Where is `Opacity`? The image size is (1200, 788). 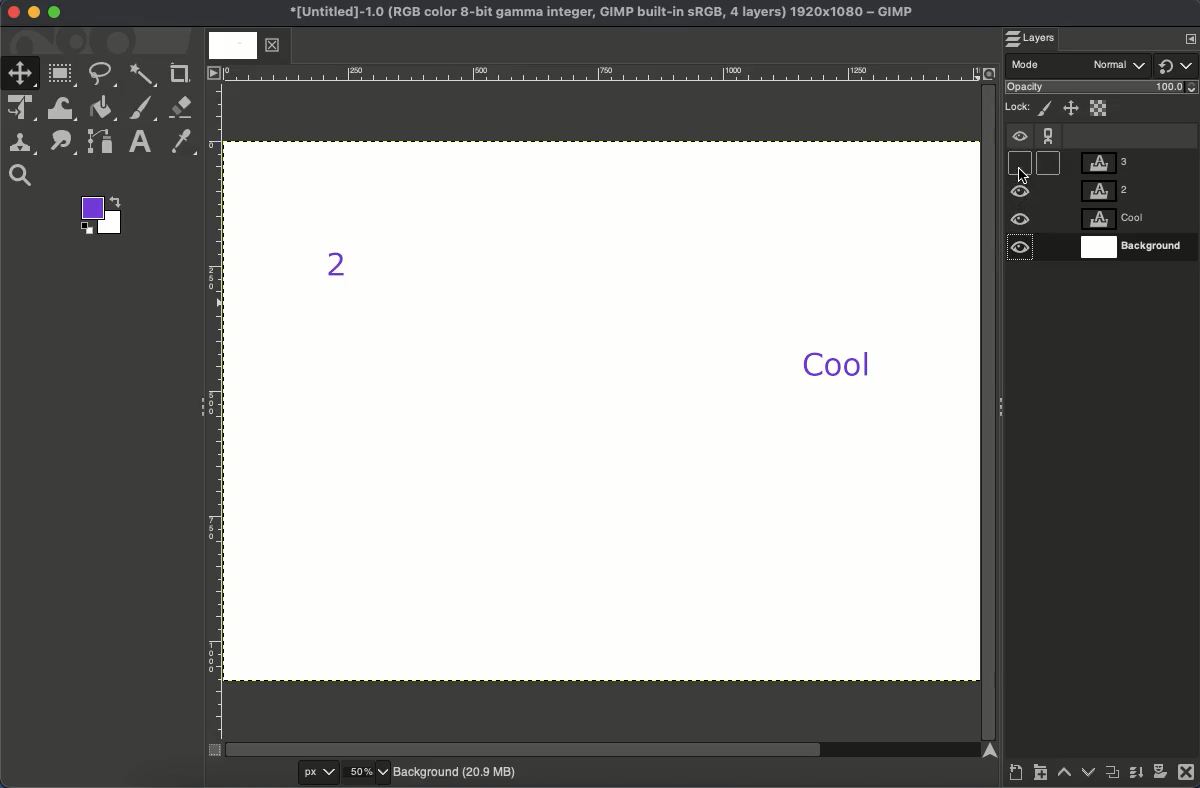
Opacity is located at coordinates (1104, 89).